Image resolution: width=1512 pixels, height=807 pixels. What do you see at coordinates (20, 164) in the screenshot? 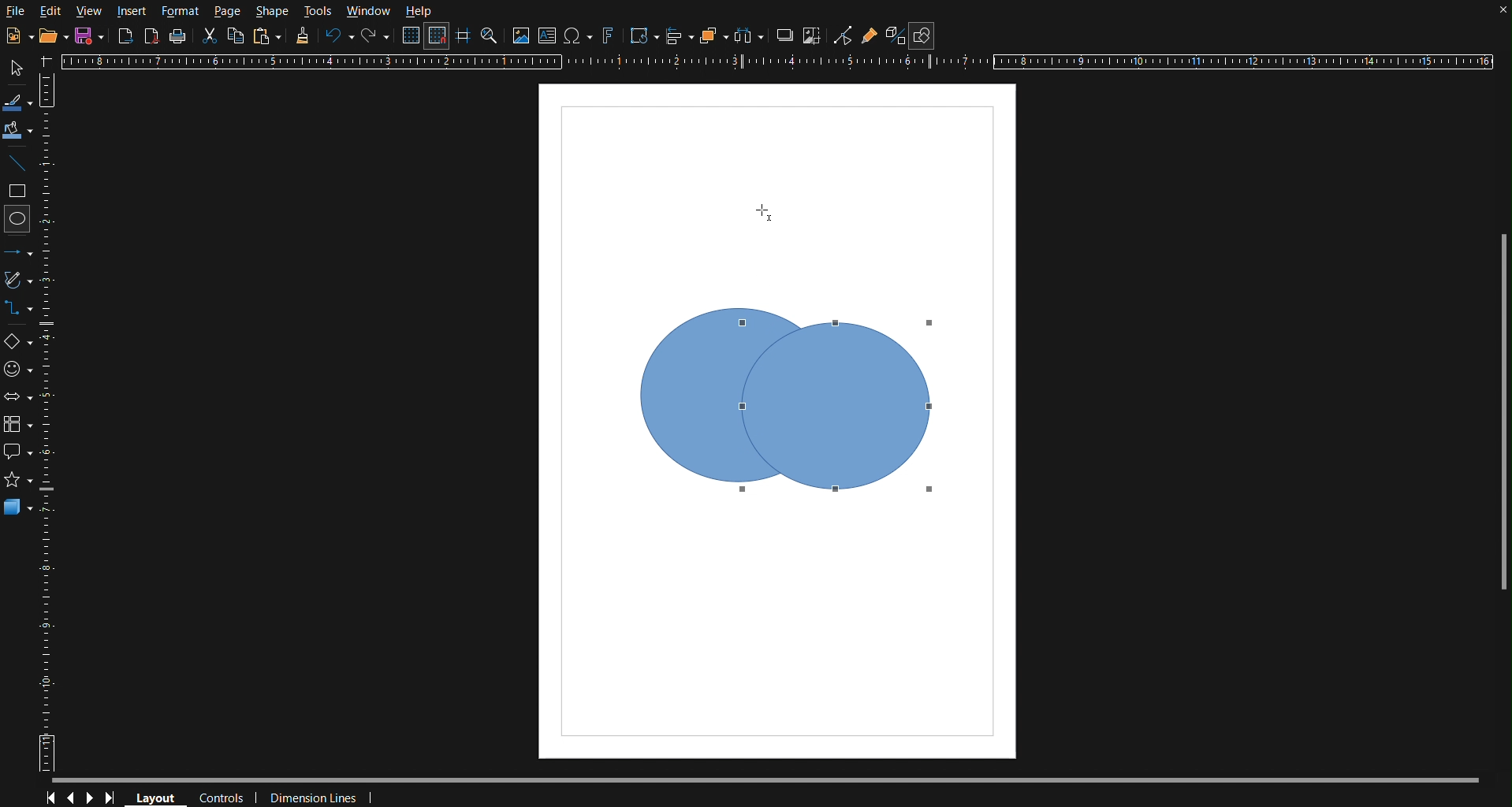
I see `Line` at bounding box center [20, 164].